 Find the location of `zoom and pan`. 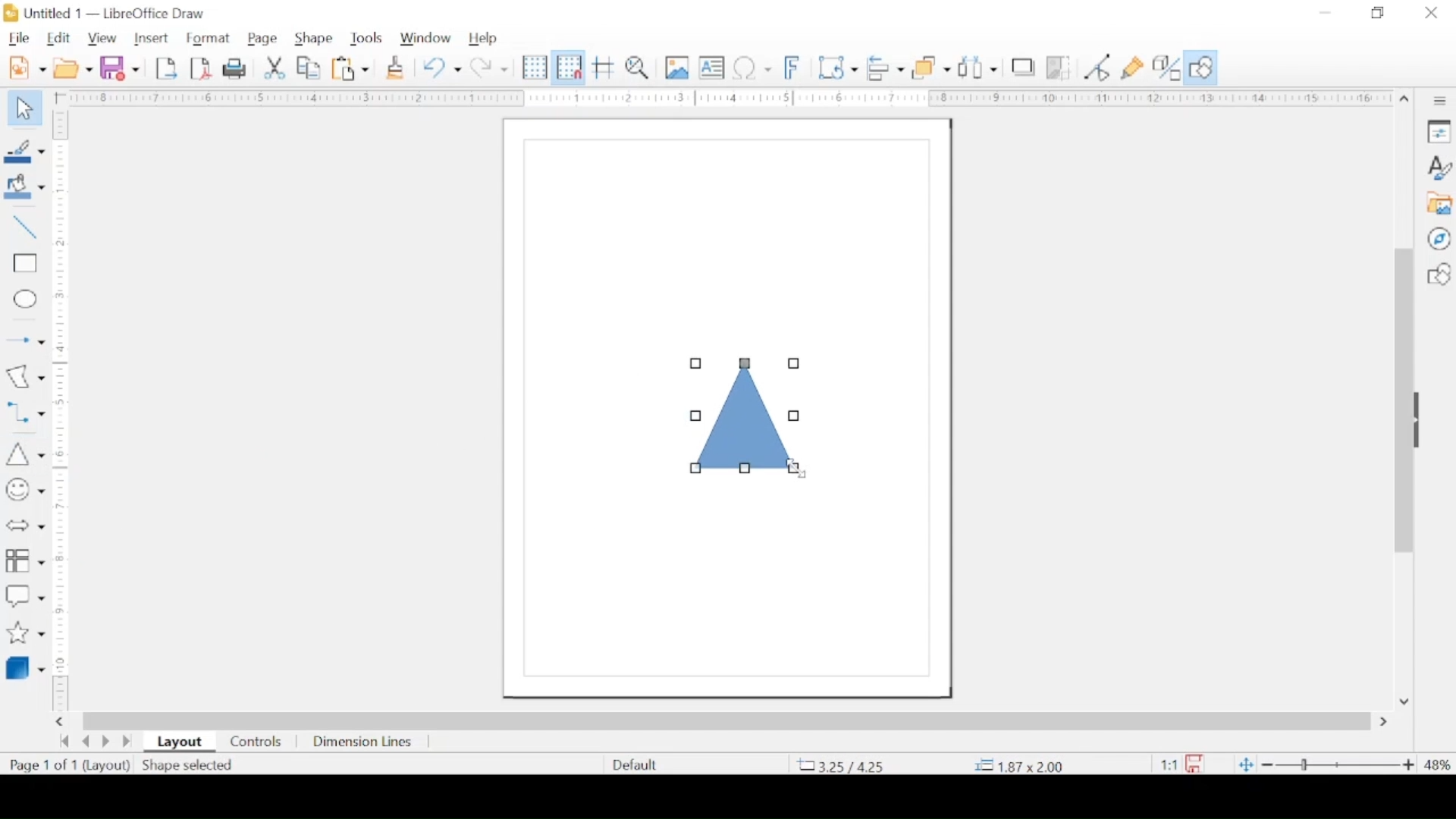

zoom and pan is located at coordinates (638, 68).